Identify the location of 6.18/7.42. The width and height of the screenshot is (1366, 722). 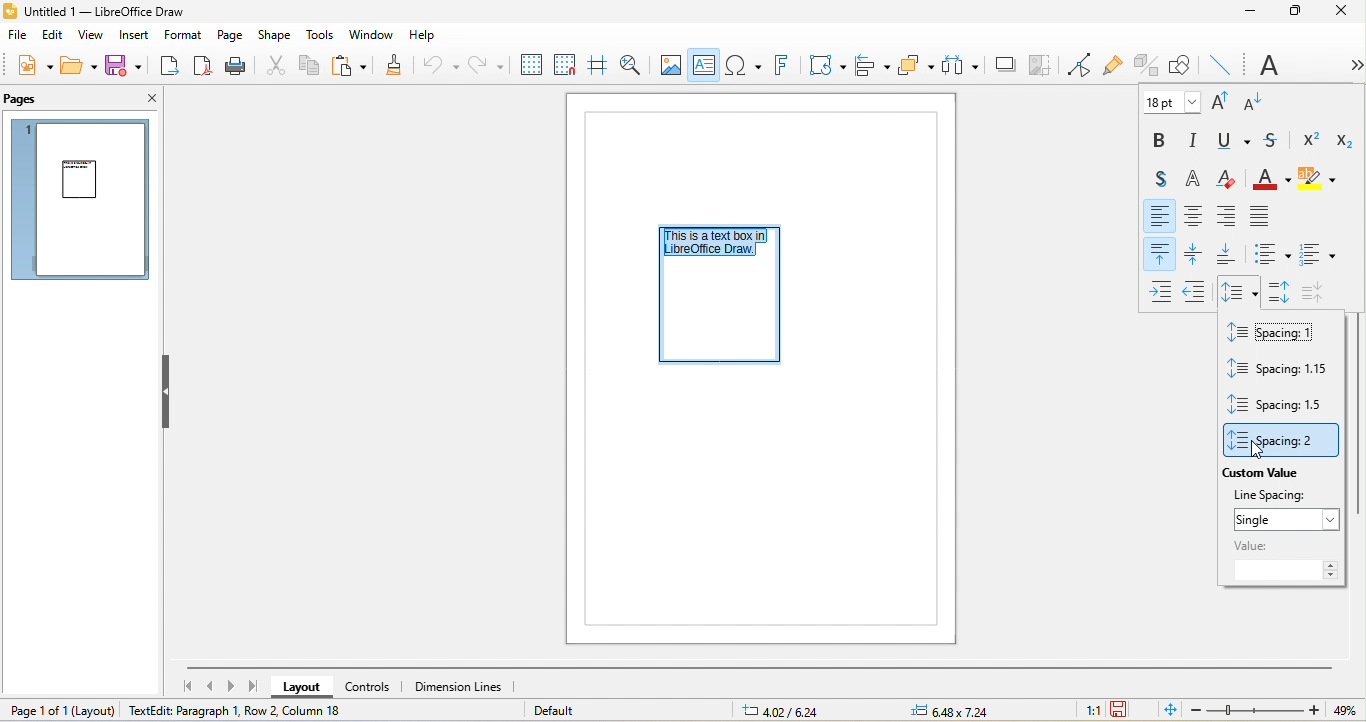
(785, 710).